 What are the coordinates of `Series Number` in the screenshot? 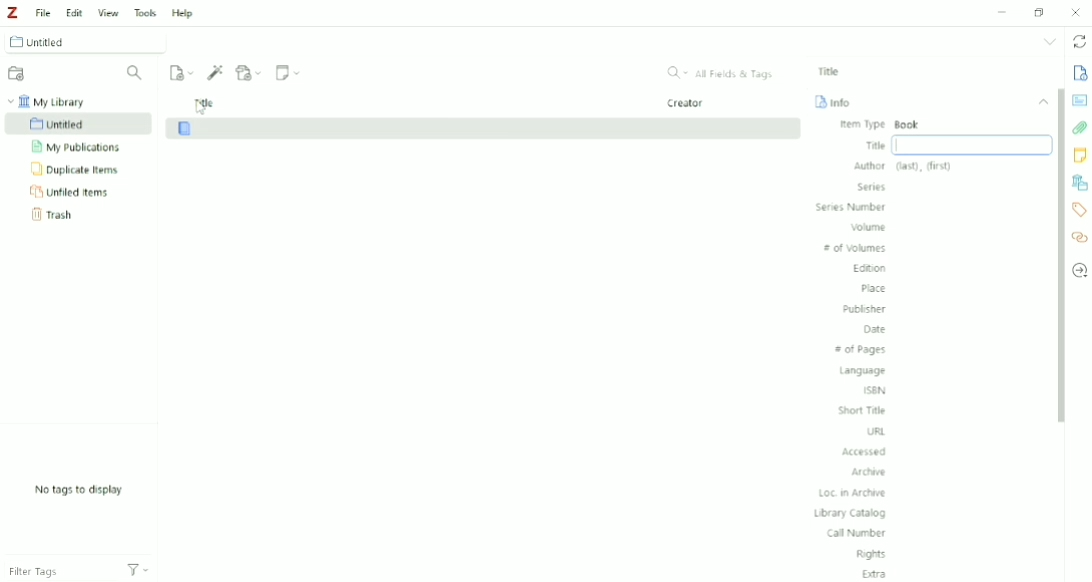 It's located at (852, 207).